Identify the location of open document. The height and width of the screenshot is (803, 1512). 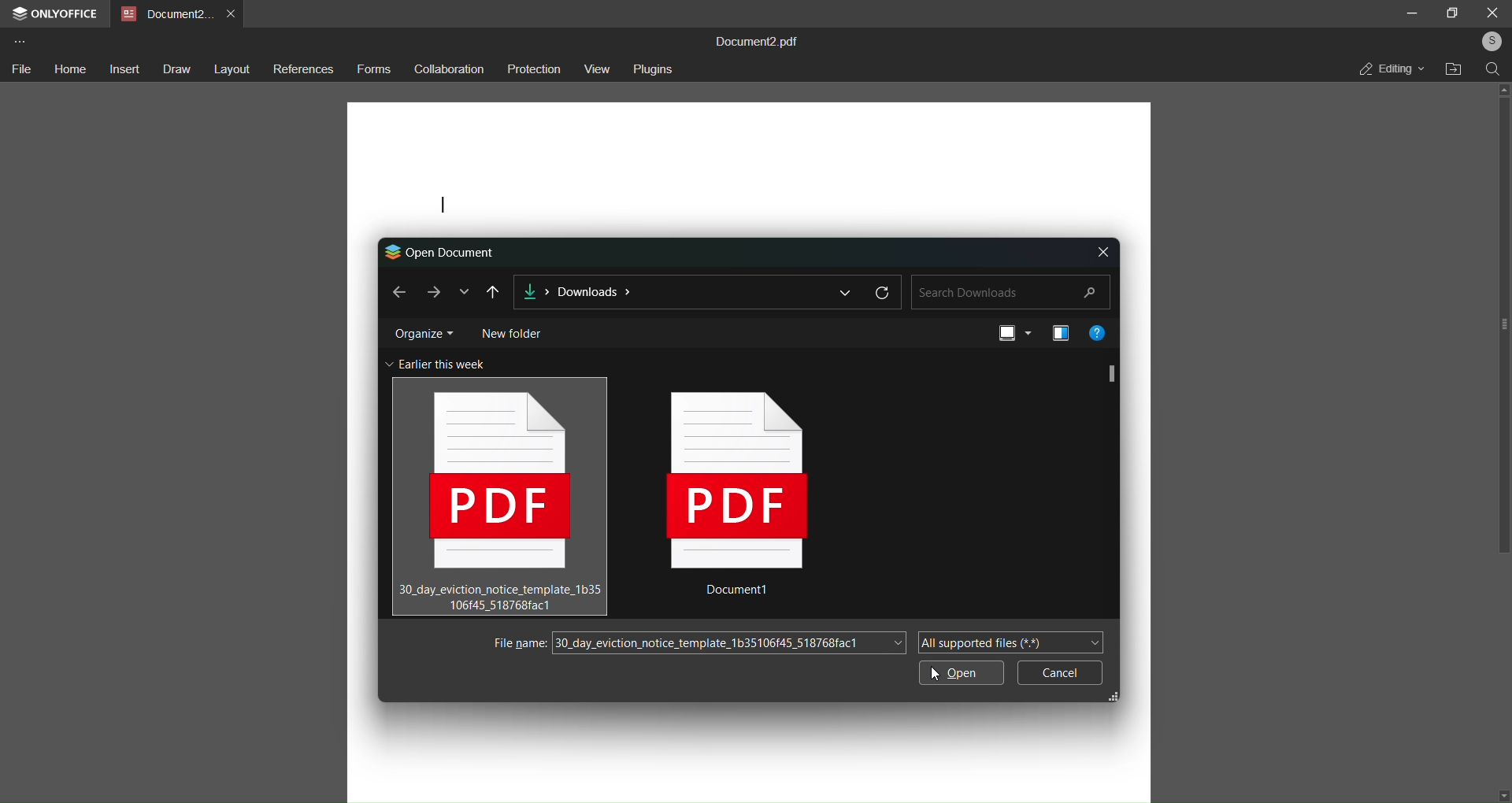
(442, 250).